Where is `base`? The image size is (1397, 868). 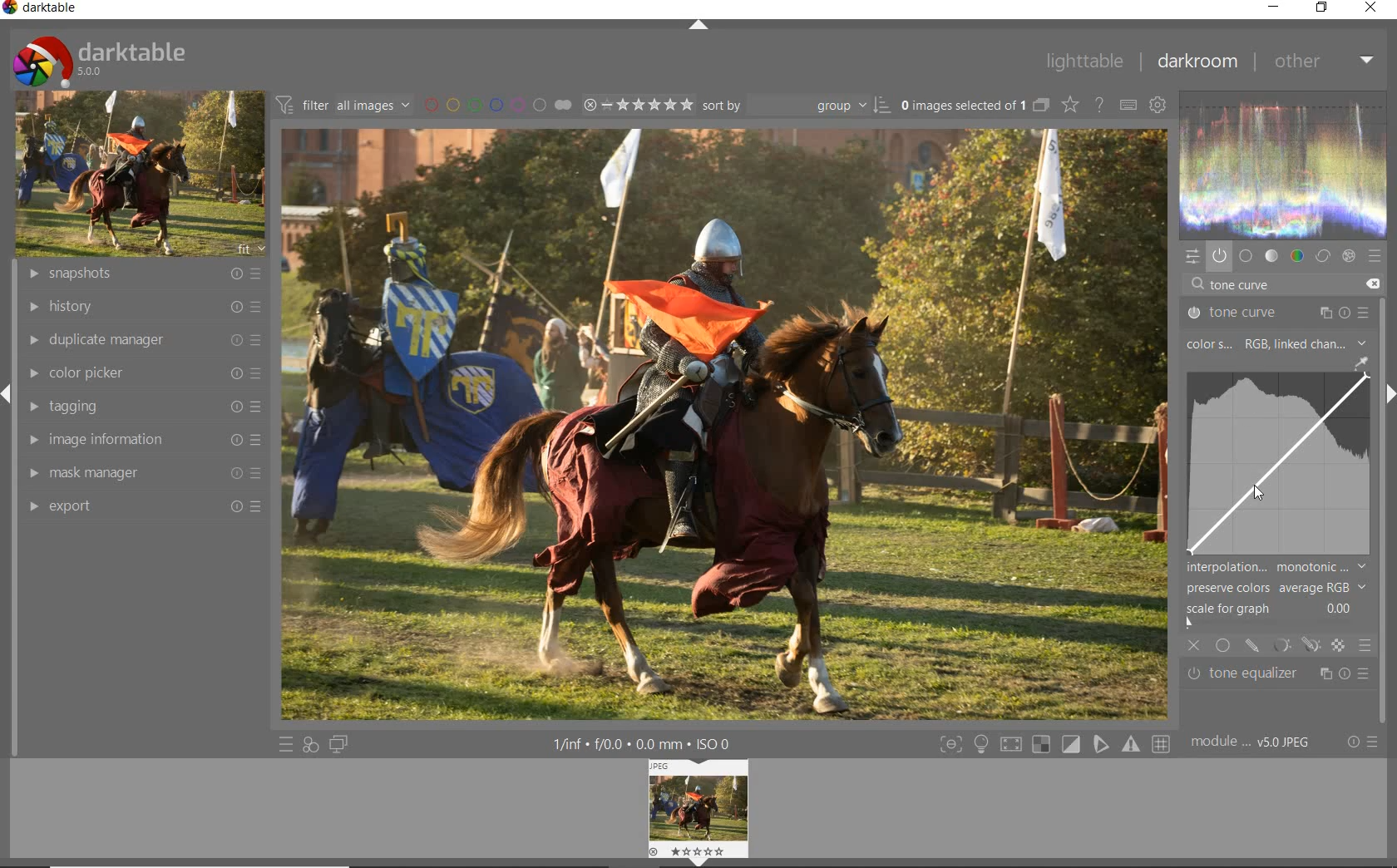 base is located at coordinates (1246, 257).